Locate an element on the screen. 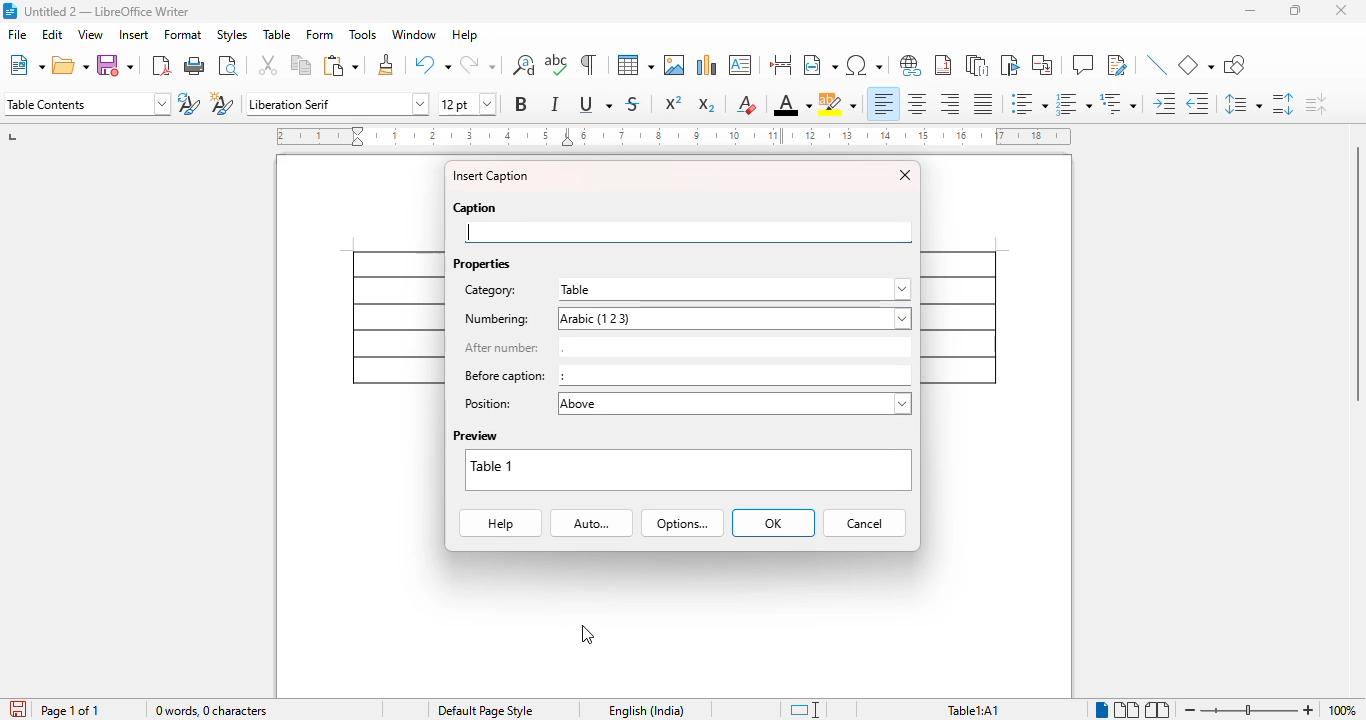 The image size is (1366, 720). set page style is located at coordinates (88, 104).